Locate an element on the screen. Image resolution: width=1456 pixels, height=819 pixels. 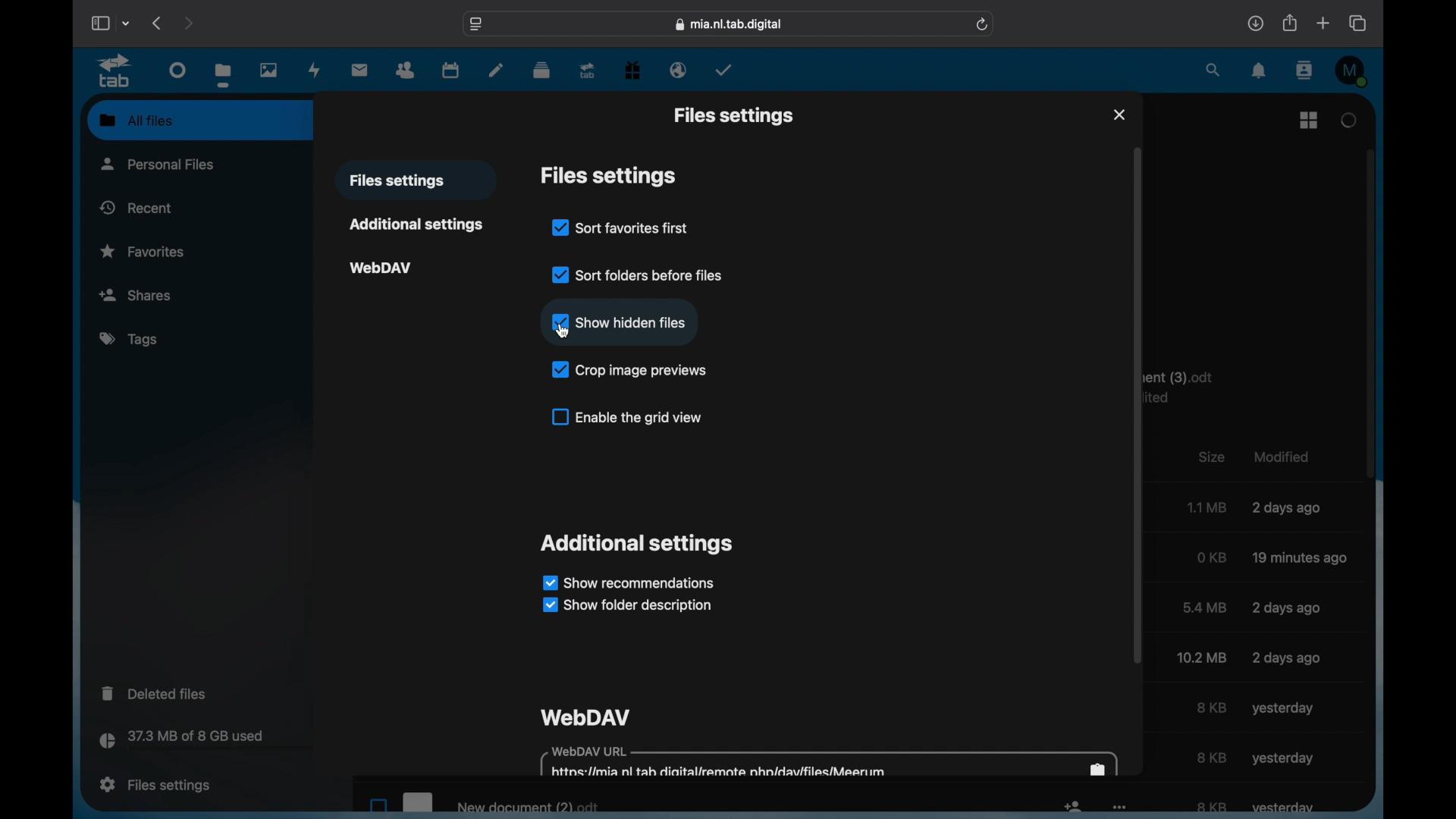
show tab overview is located at coordinates (1359, 24).